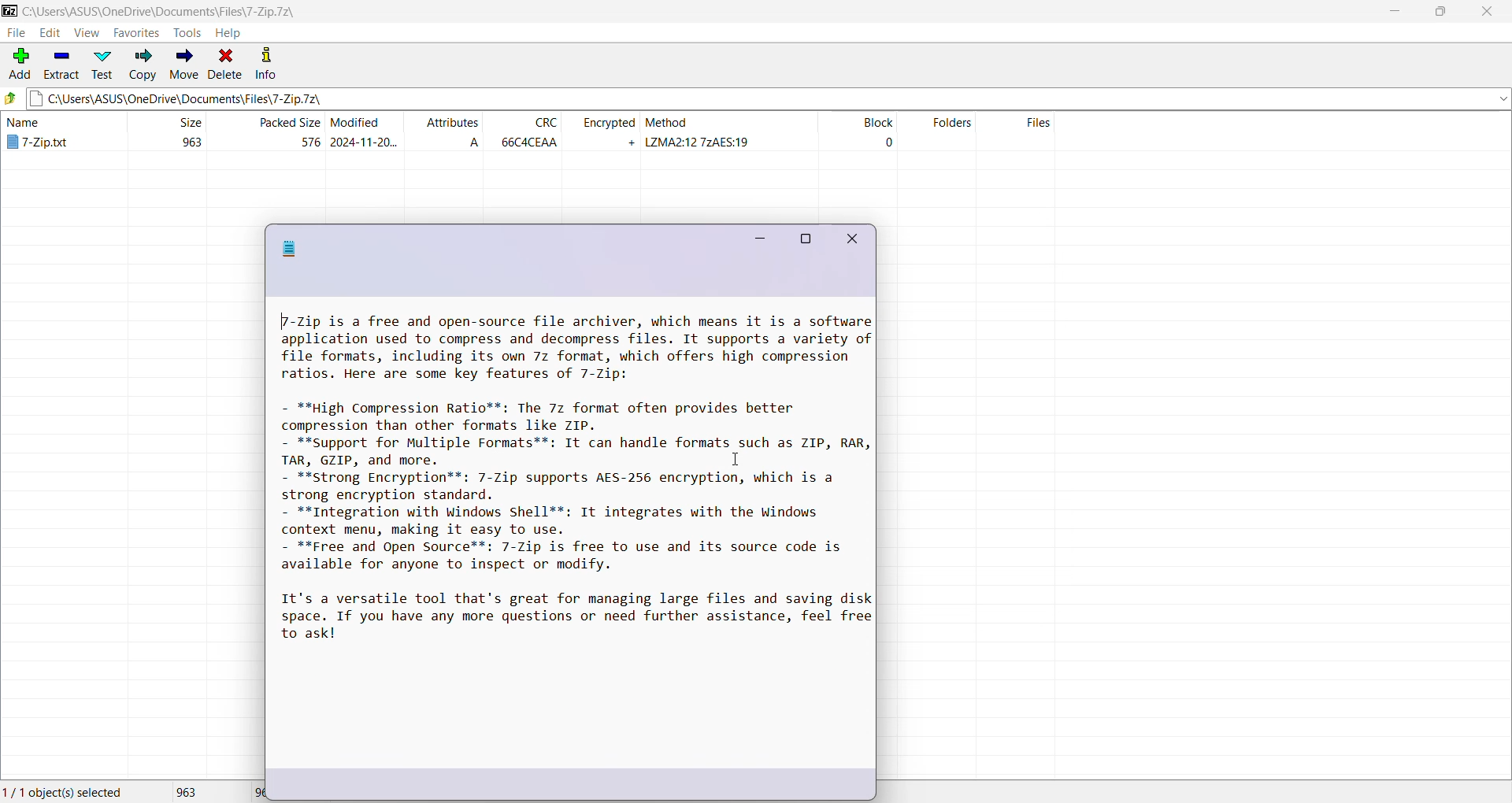 The height and width of the screenshot is (803, 1512). Describe the element at coordinates (805, 239) in the screenshot. I see `Maximize` at that location.